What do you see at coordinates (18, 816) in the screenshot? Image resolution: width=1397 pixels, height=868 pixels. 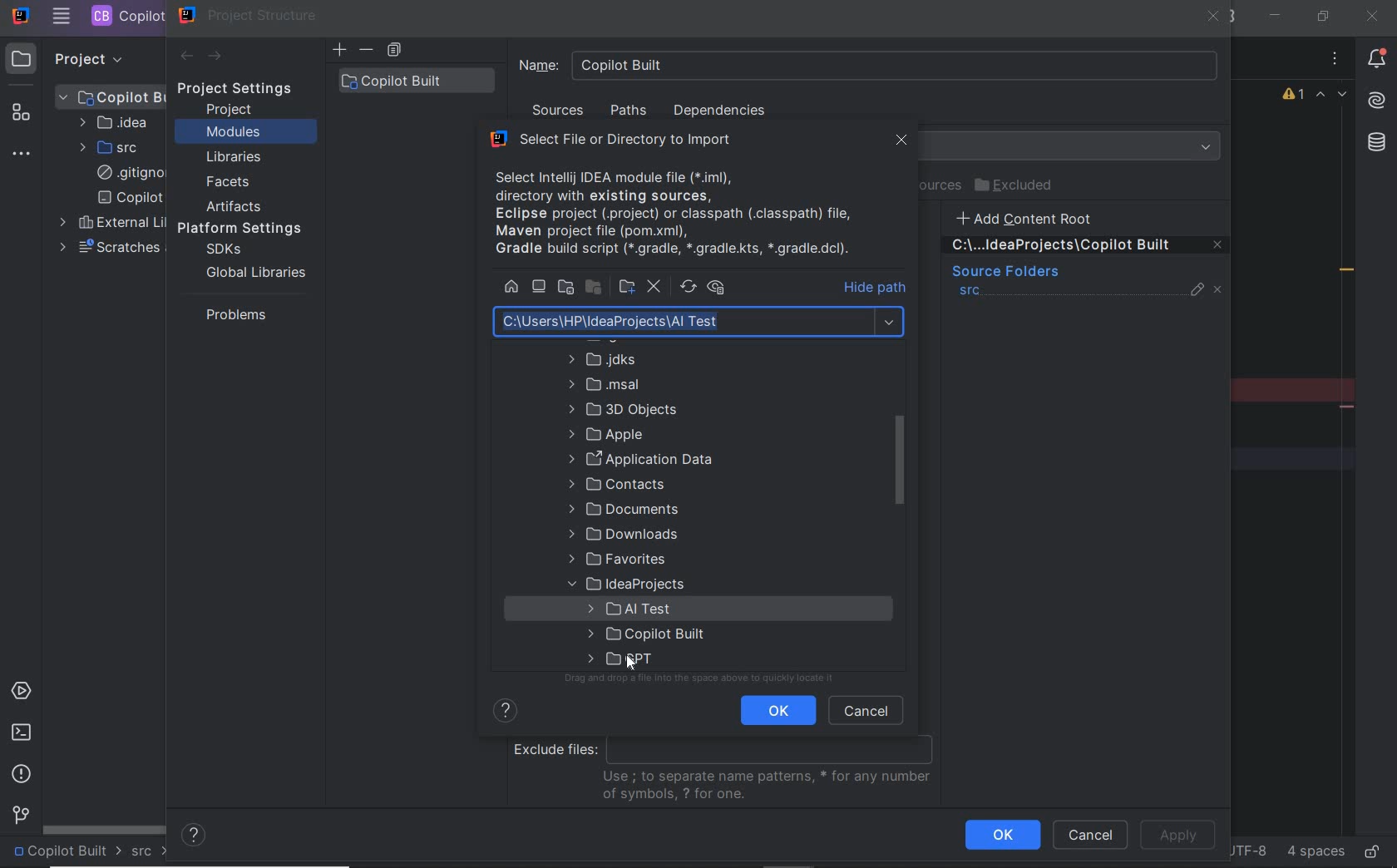 I see `version control` at bounding box center [18, 816].